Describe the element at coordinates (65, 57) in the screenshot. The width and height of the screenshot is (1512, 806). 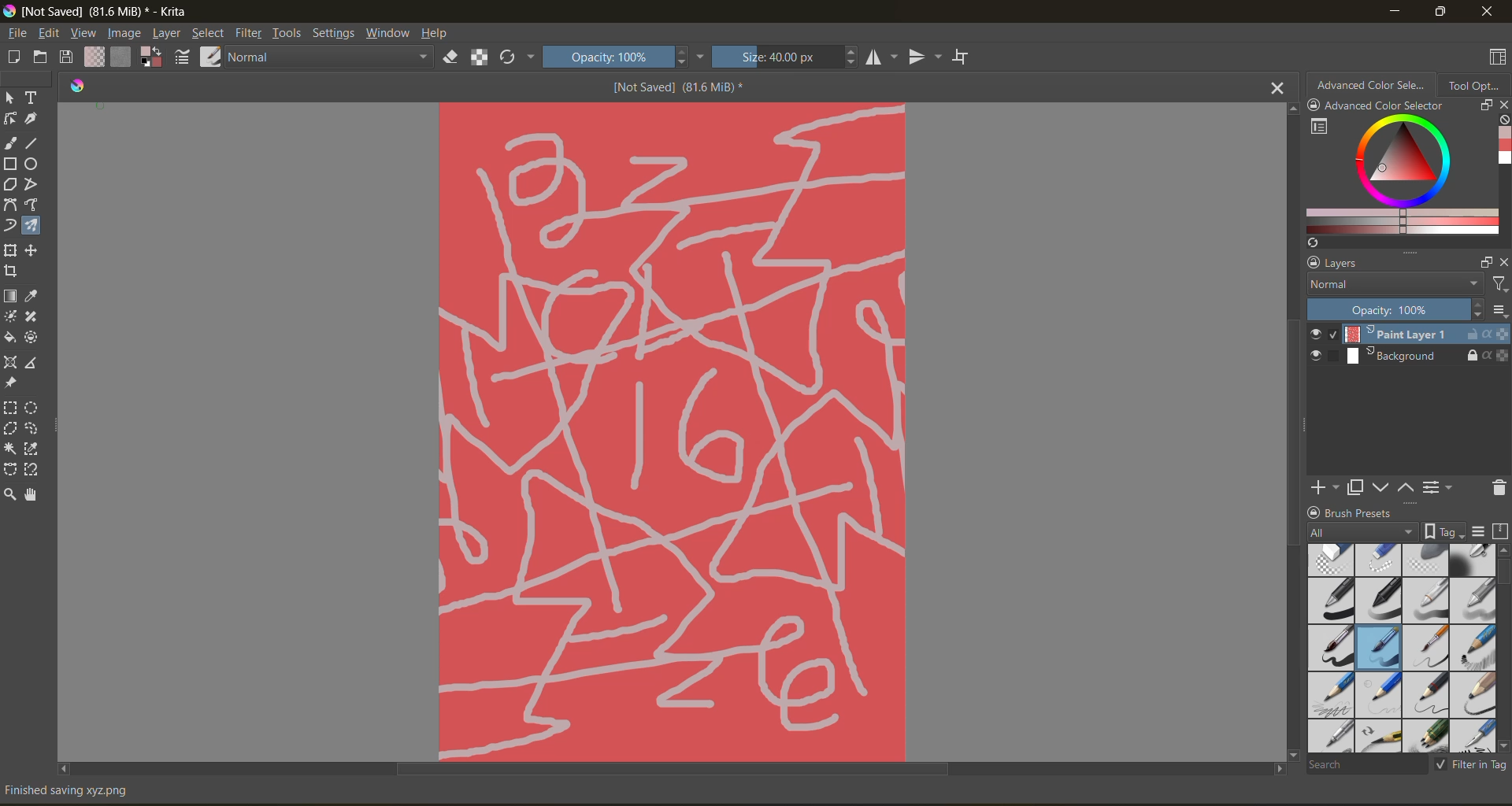
I see `save` at that location.